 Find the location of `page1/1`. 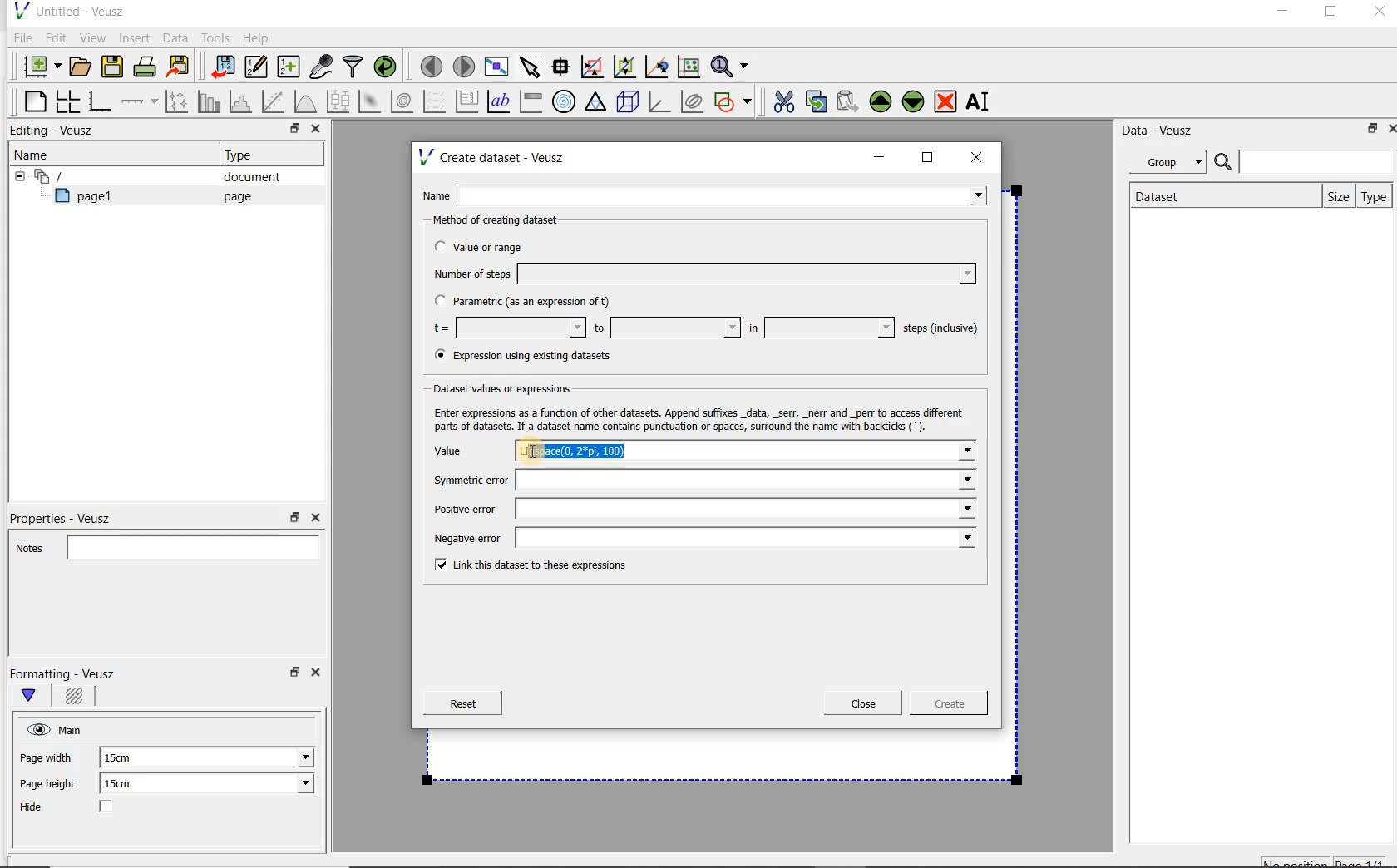

page1/1 is located at coordinates (1366, 861).